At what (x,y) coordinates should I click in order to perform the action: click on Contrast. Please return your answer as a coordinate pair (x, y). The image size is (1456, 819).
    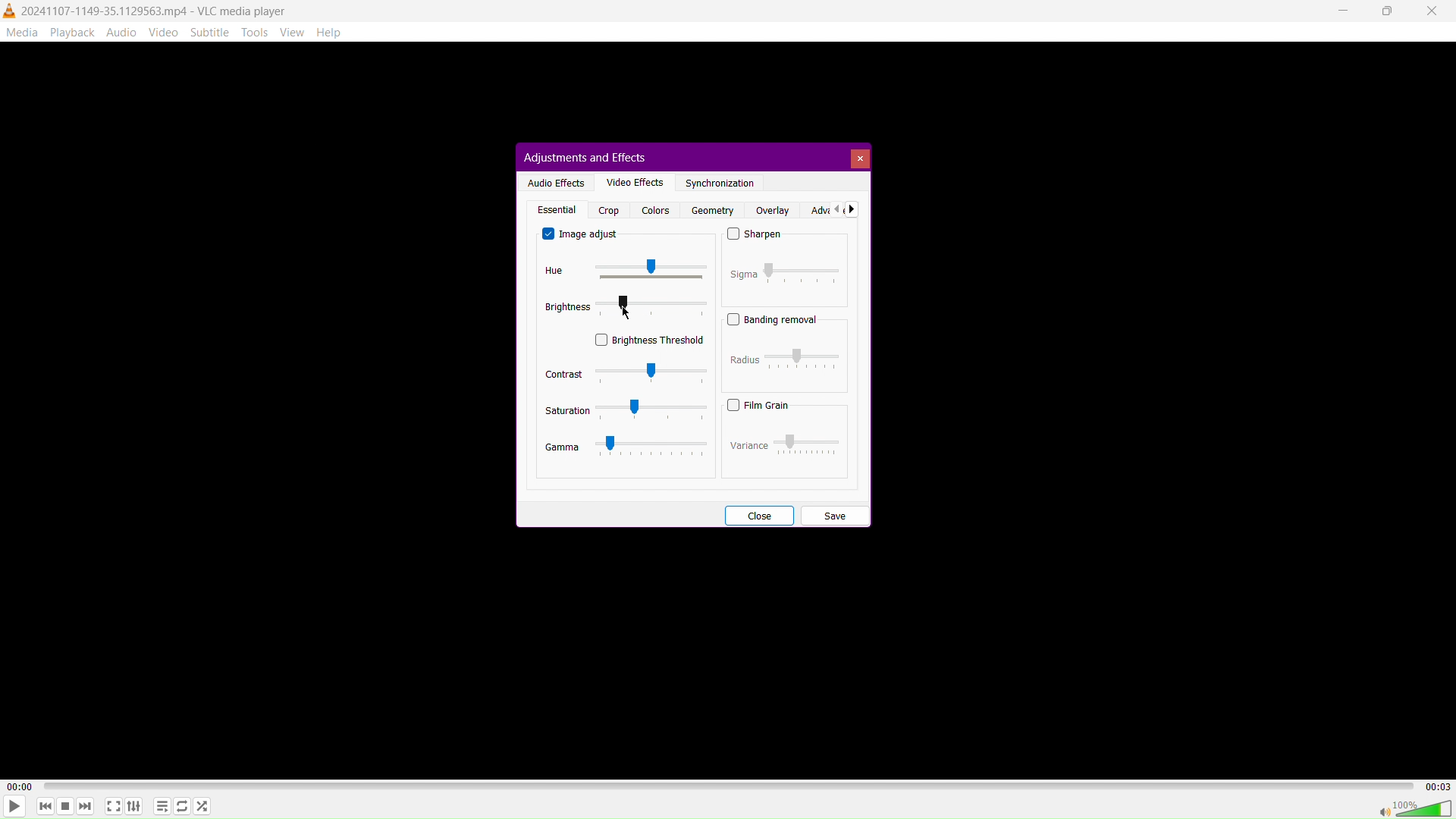
    Looking at the image, I should click on (625, 373).